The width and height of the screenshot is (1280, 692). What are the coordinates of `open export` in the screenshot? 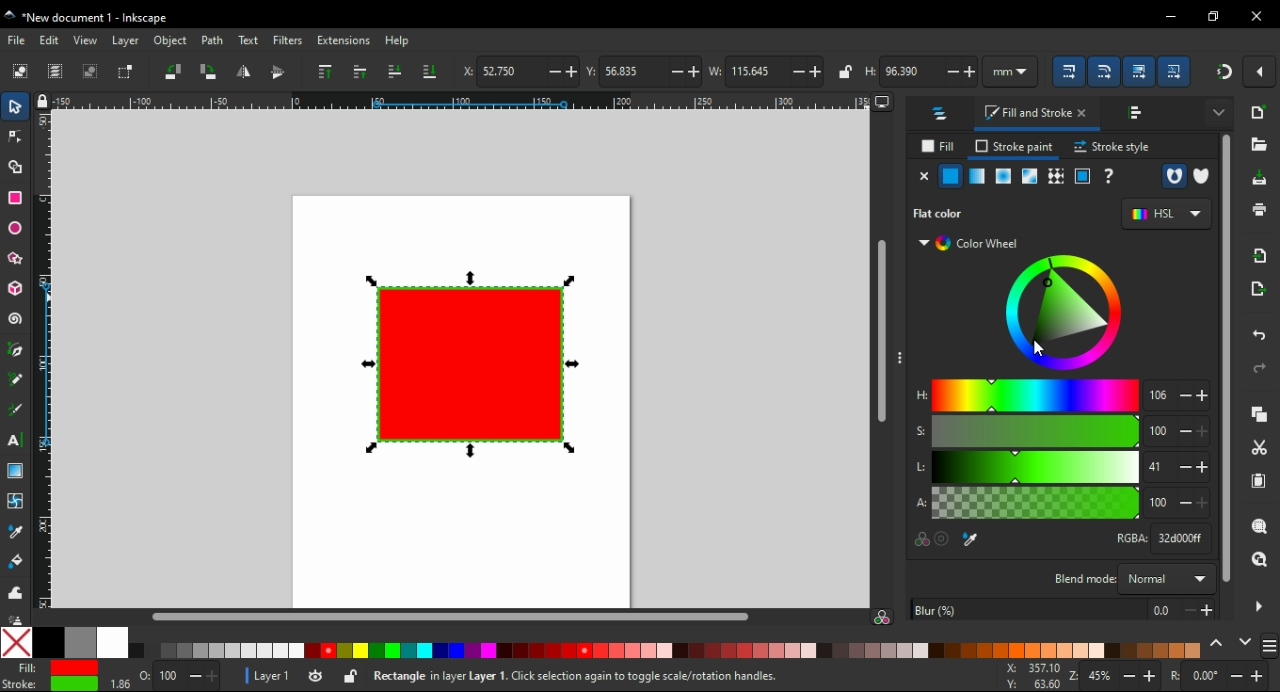 It's located at (1257, 289).